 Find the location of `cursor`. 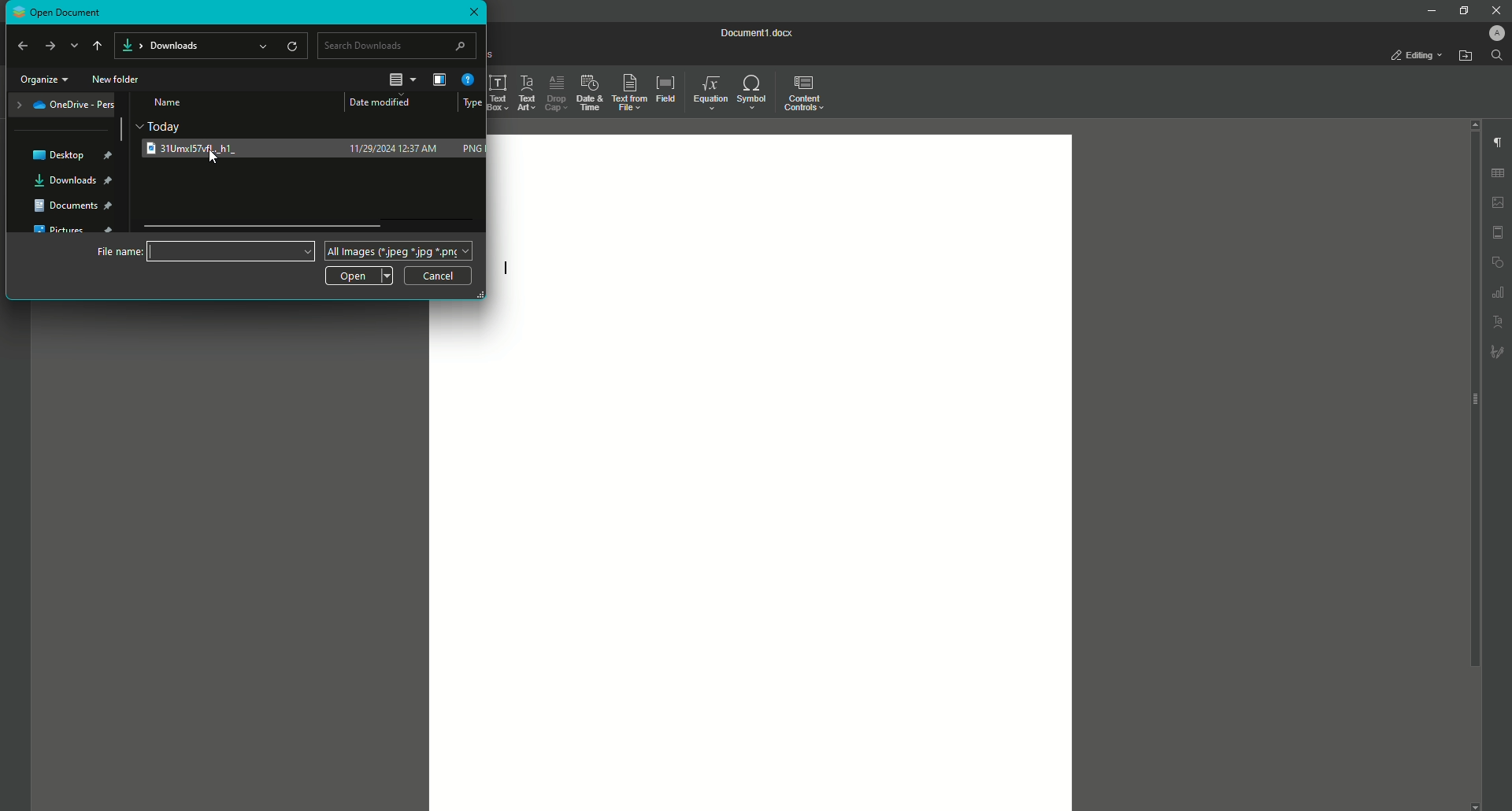

cursor is located at coordinates (206, 161).